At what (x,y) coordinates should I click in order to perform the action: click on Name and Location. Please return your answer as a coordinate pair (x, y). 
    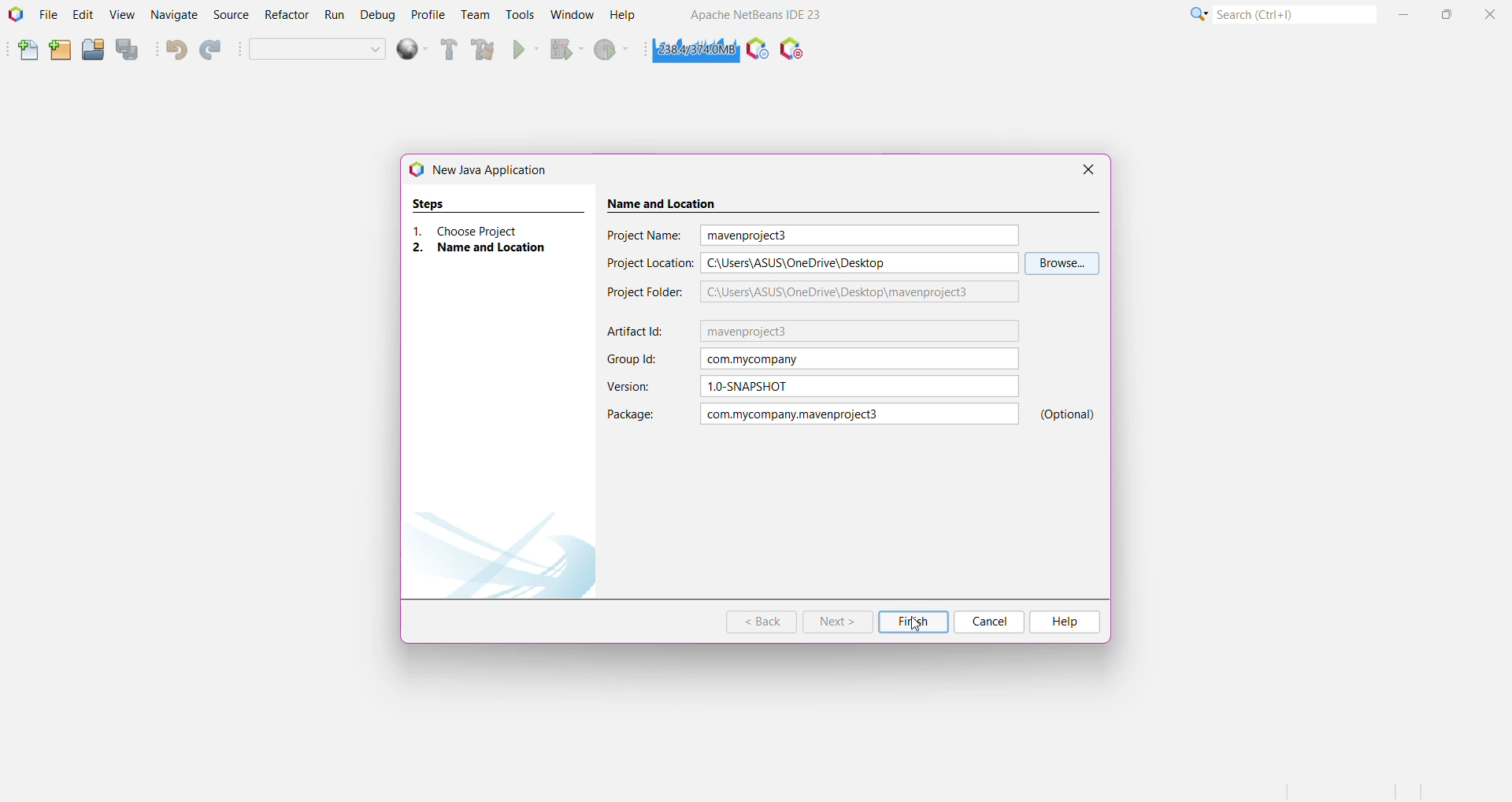
    Looking at the image, I should click on (487, 249).